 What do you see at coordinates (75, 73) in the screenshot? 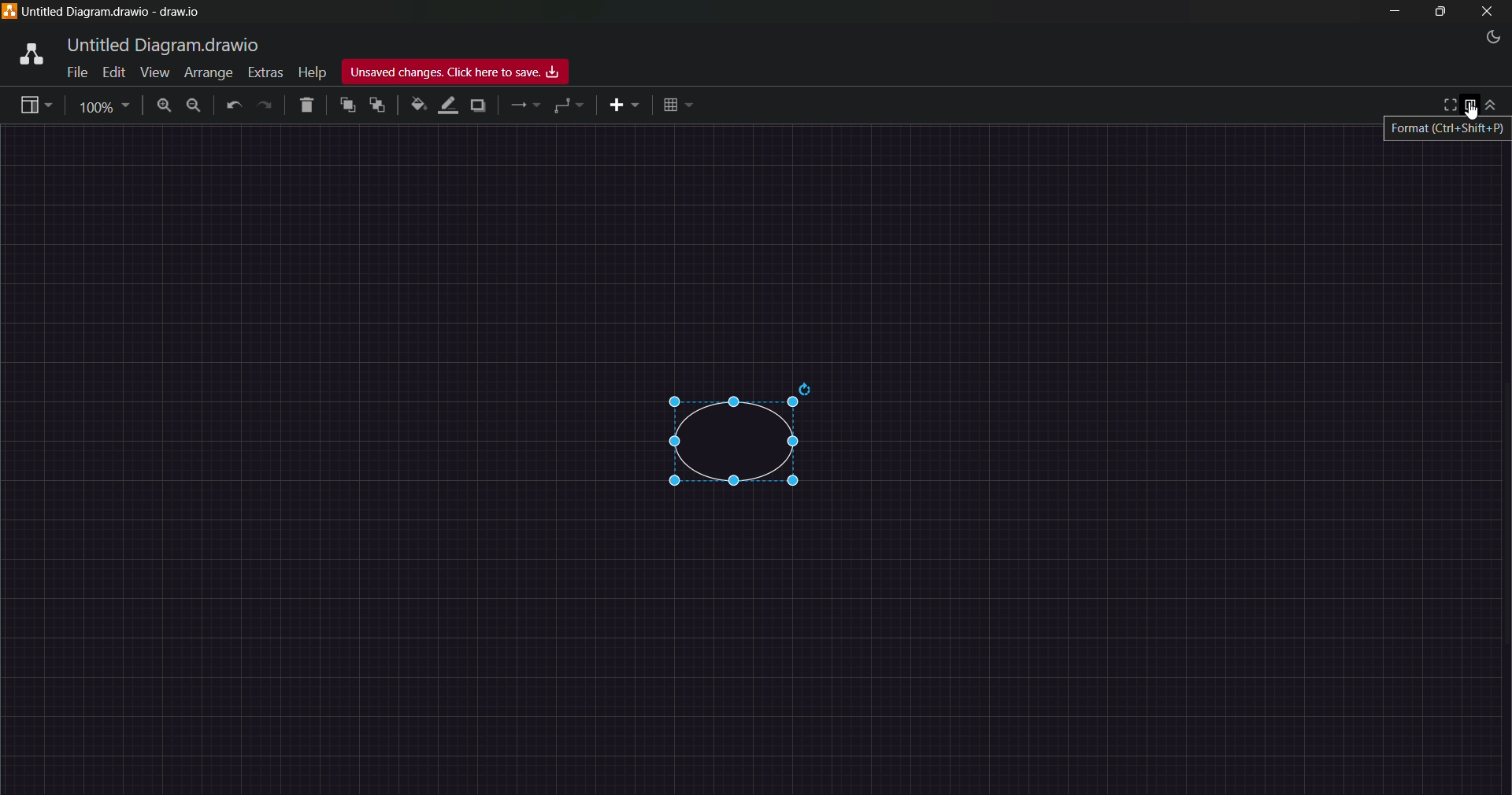
I see `file` at bounding box center [75, 73].